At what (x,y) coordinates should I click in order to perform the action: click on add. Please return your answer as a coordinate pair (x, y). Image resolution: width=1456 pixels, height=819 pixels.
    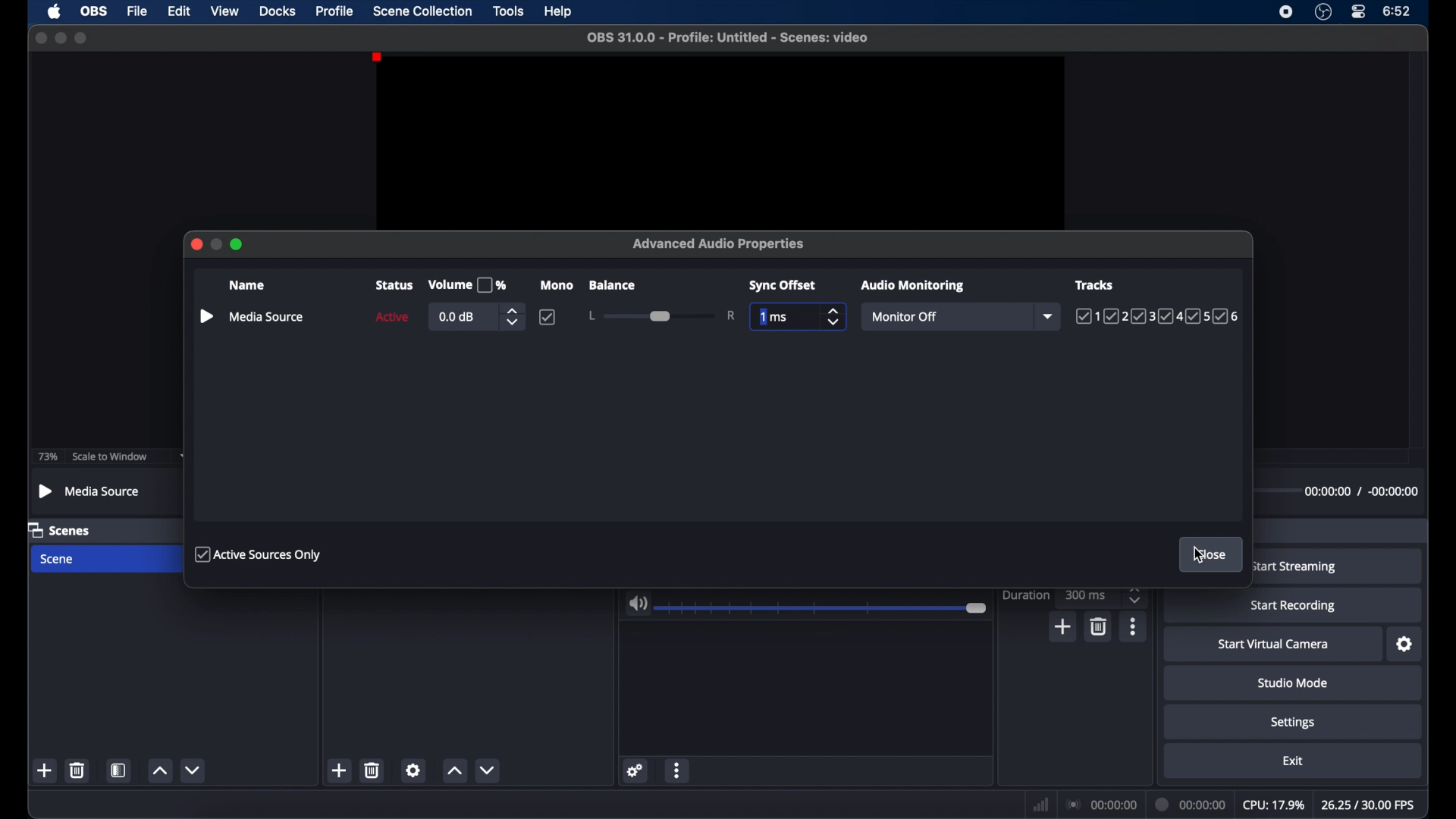
    Looking at the image, I should click on (45, 770).